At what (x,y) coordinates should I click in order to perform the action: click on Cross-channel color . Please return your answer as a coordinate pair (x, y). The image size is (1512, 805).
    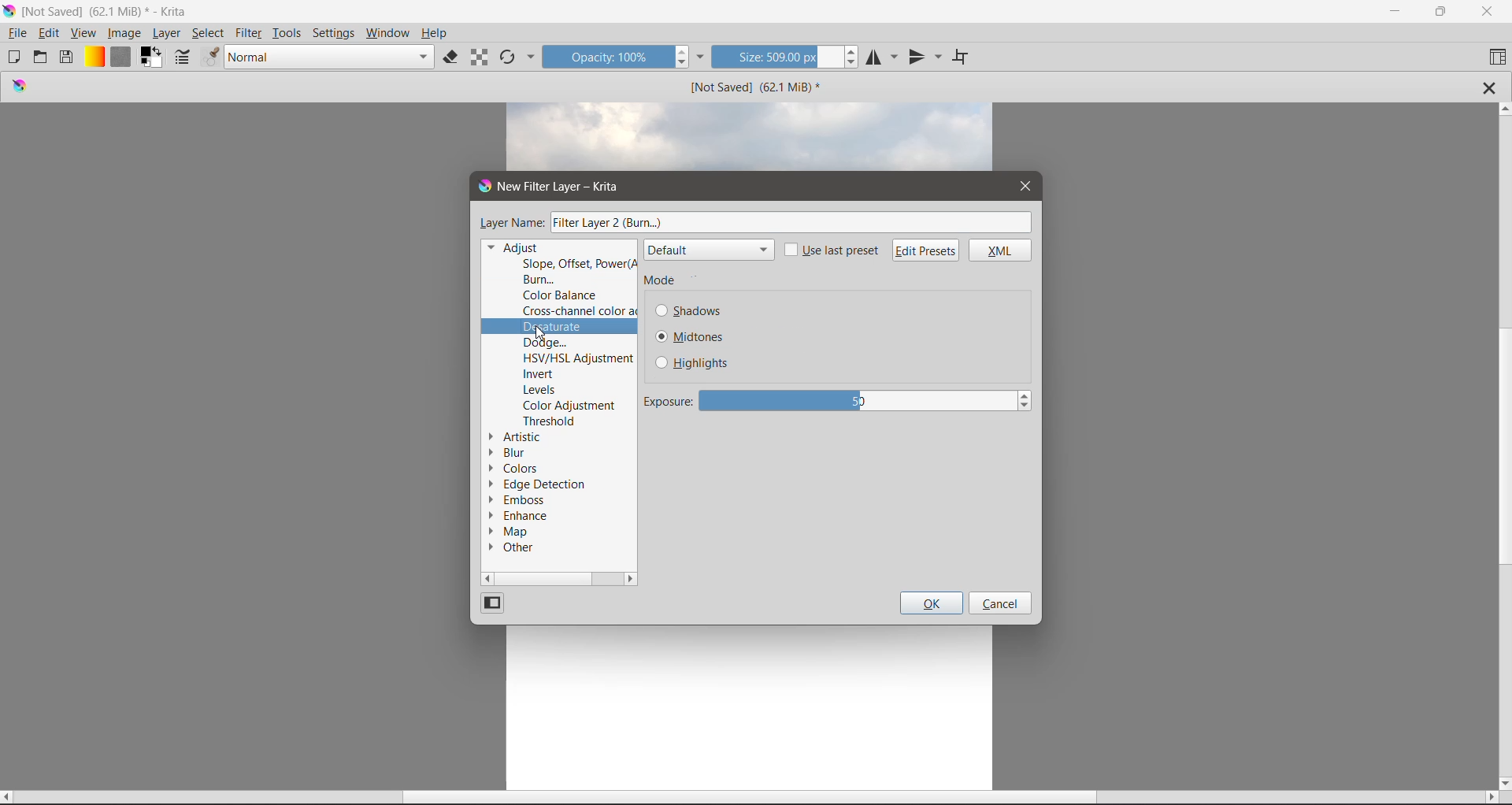
    Looking at the image, I should click on (578, 312).